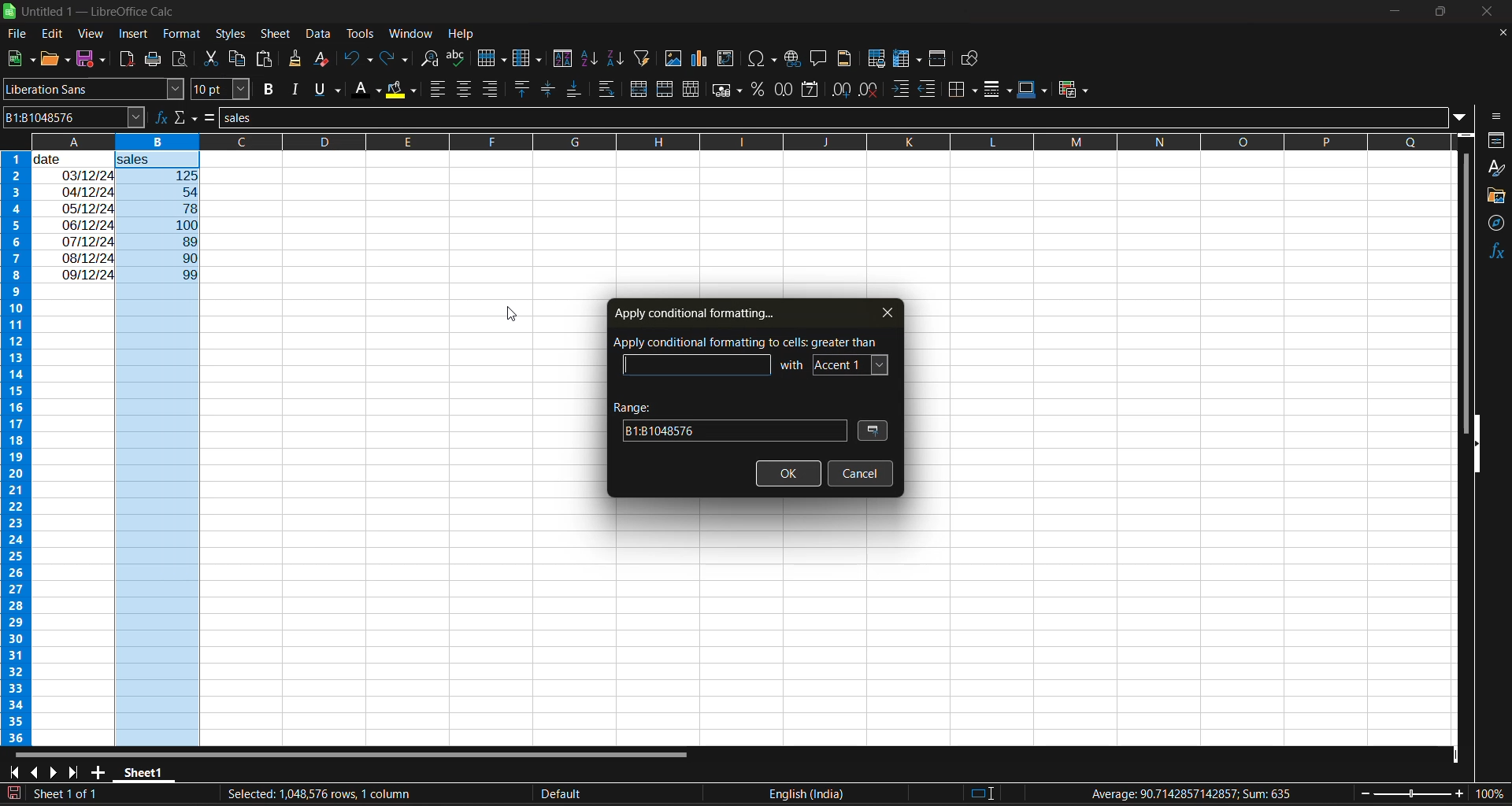  I want to click on view, so click(92, 31).